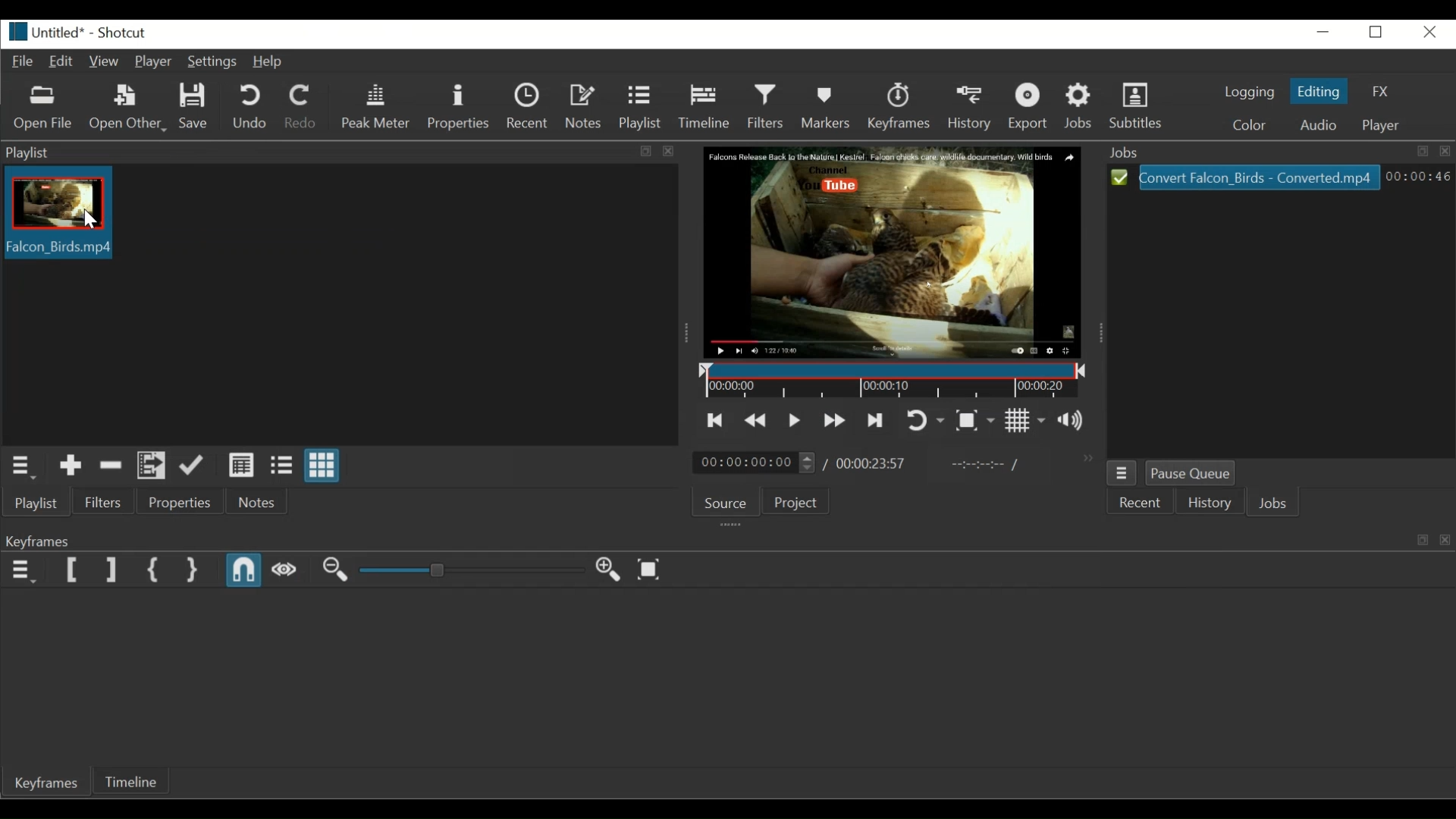 The image size is (1456, 819). I want to click on Recent, so click(527, 105).